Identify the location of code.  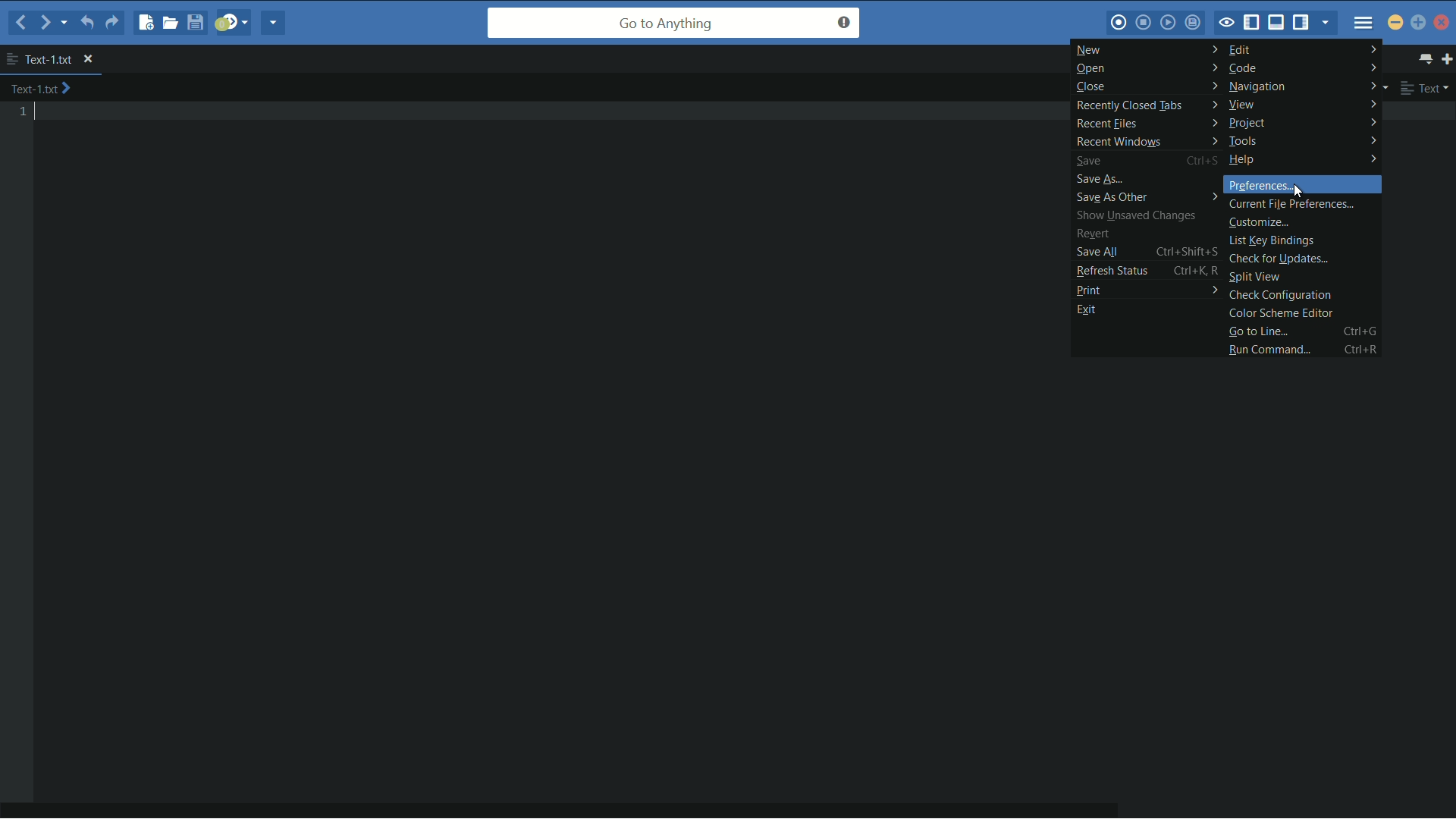
(1299, 67).